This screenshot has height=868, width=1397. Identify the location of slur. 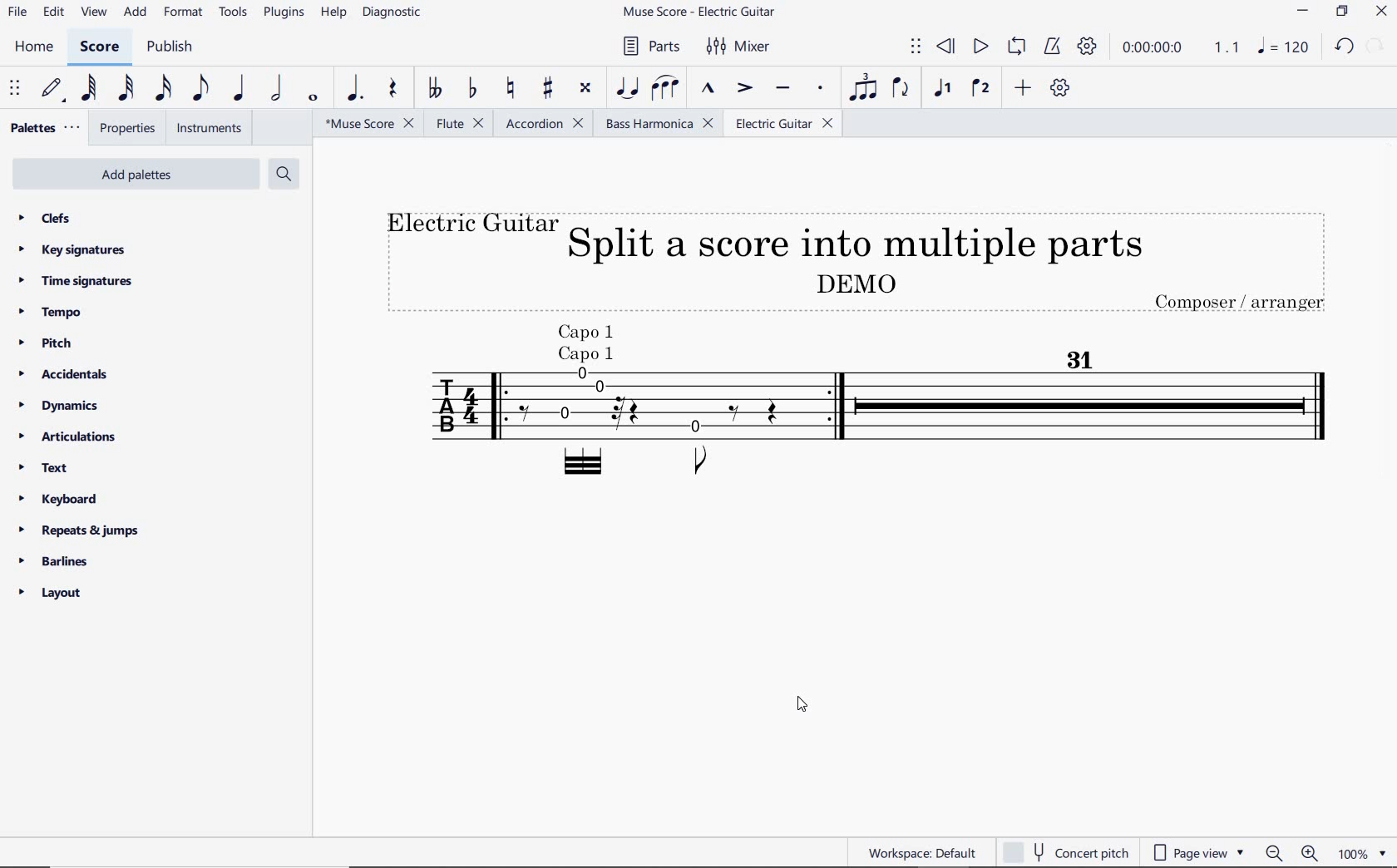
(666, 89).